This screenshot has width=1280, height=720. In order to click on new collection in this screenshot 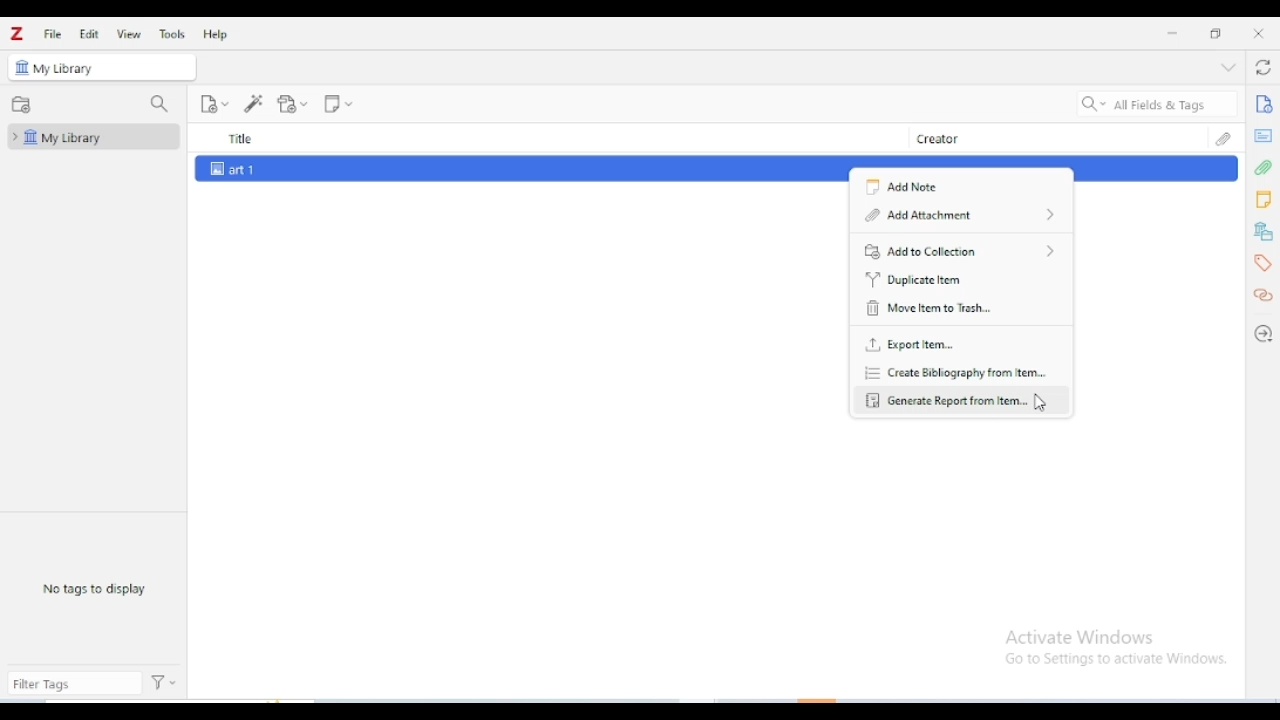, I will do `click(21, 104)`.